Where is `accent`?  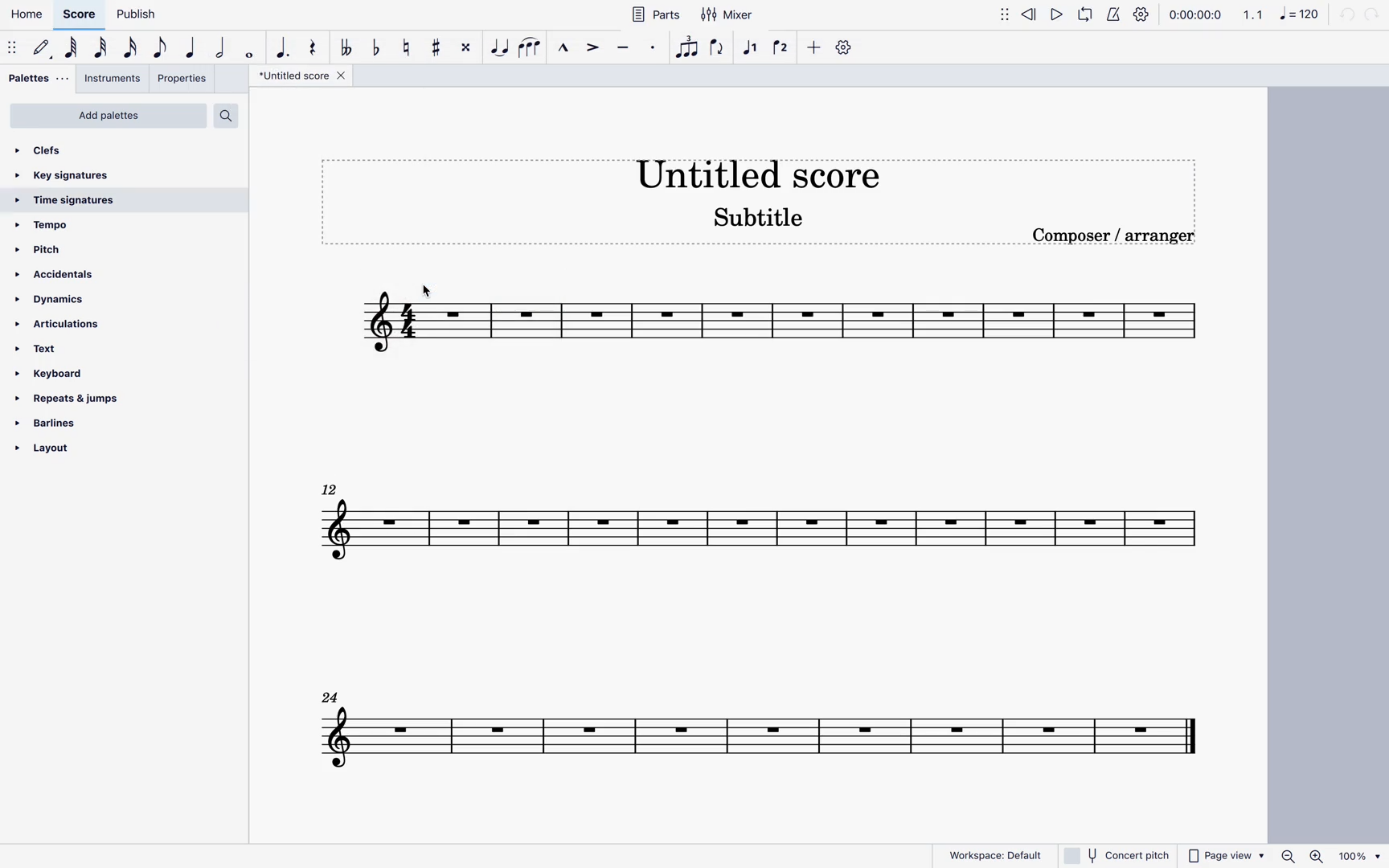 accent is located at coordinates (592, 49).